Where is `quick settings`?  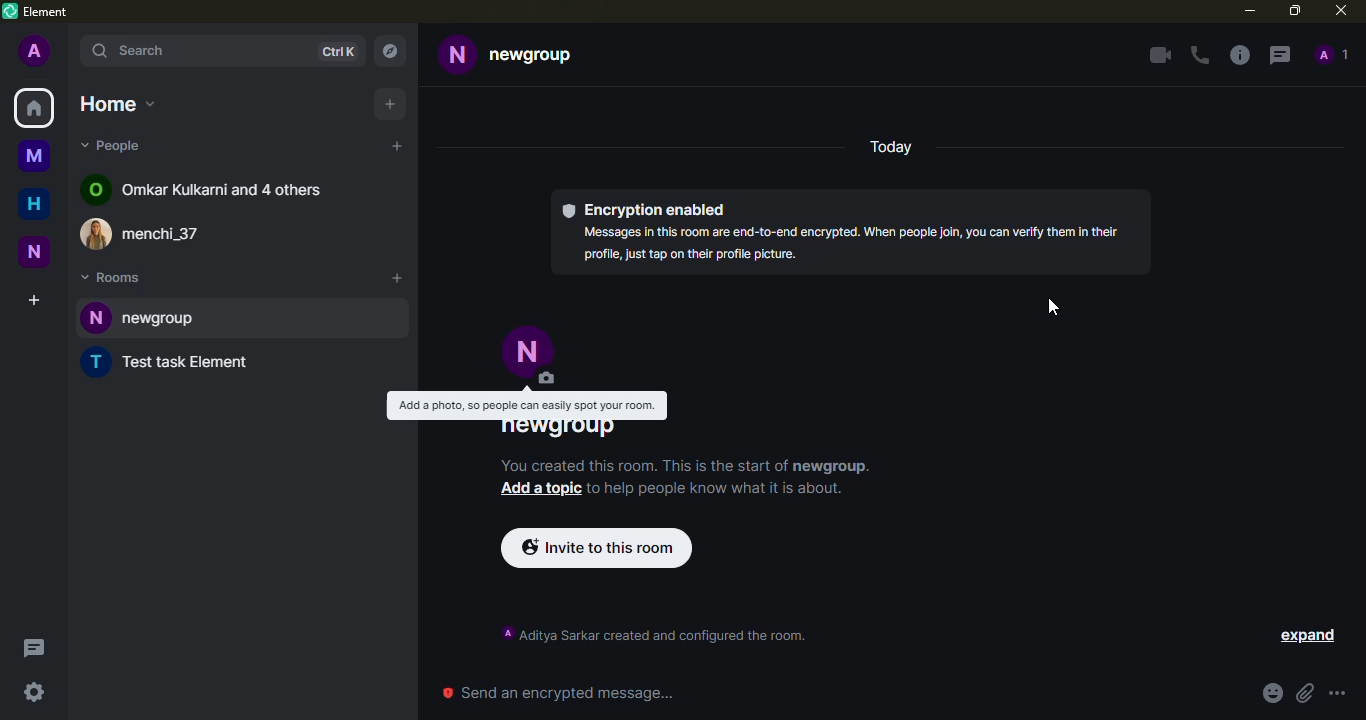
quick settings is located at coordinates (34, 692).